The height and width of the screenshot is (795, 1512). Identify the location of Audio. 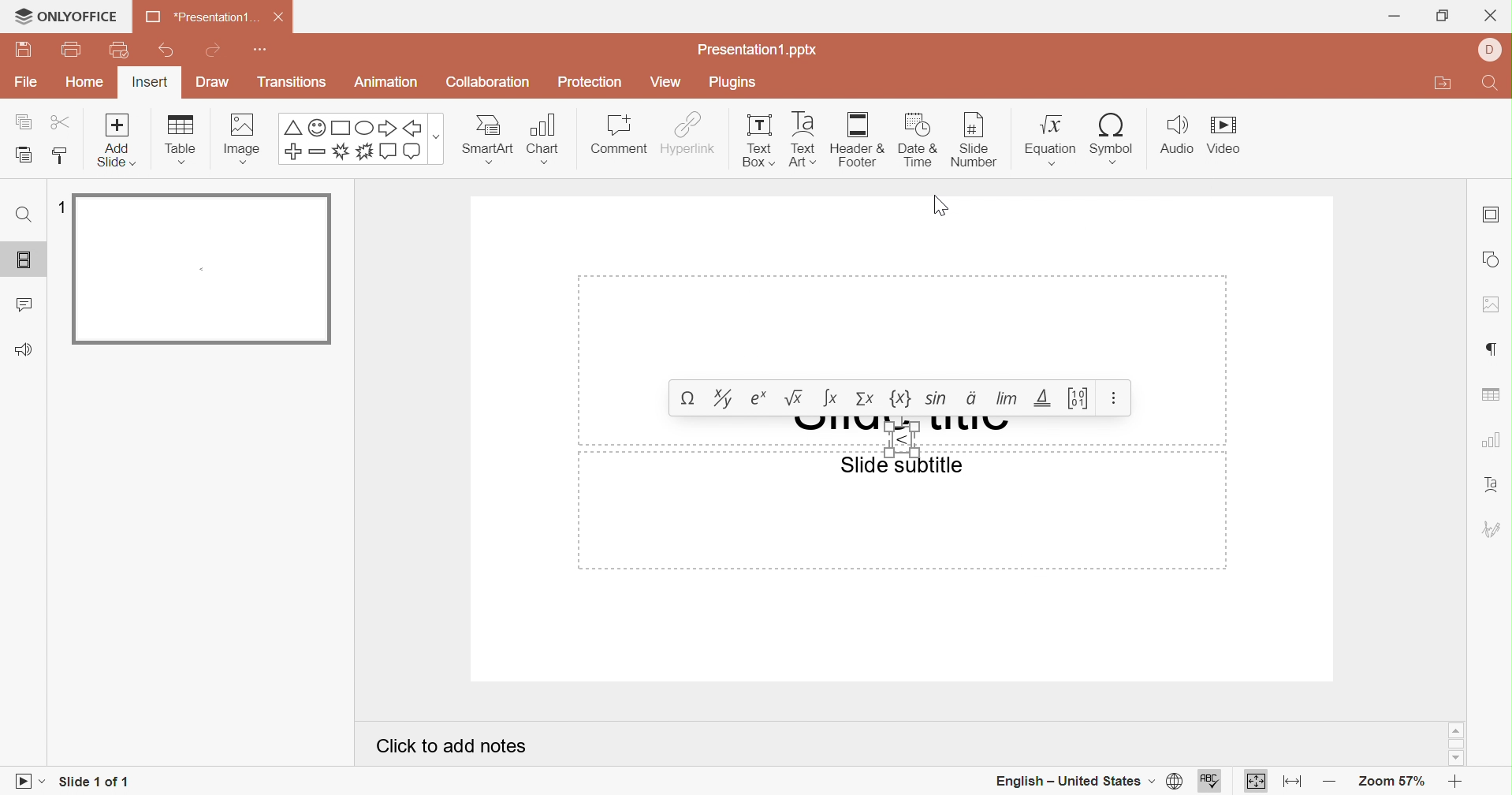
(1177, 135).